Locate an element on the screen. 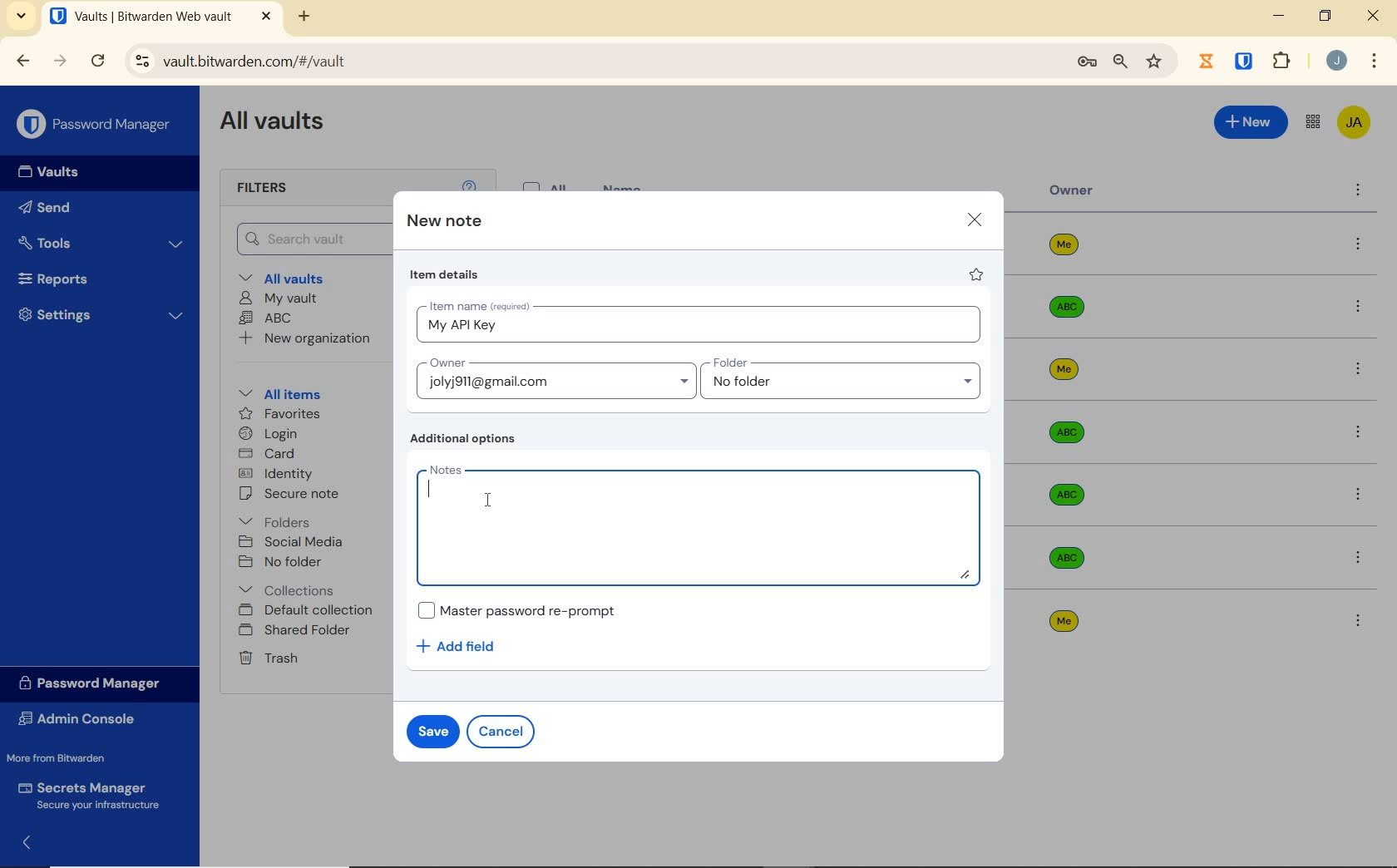  FORWARD is located at coordinates (61, 62).